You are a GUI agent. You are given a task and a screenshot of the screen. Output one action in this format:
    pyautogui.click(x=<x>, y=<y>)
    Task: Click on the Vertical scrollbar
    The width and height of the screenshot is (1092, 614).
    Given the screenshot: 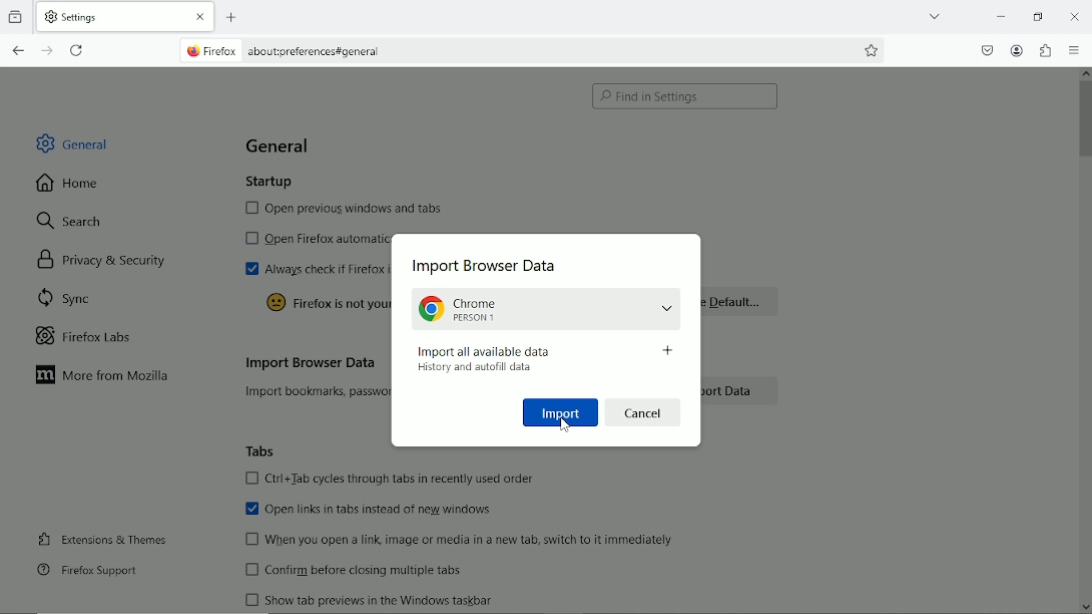 What is the action you would take?
    pyautogui.click(x=1085, y=125)
    